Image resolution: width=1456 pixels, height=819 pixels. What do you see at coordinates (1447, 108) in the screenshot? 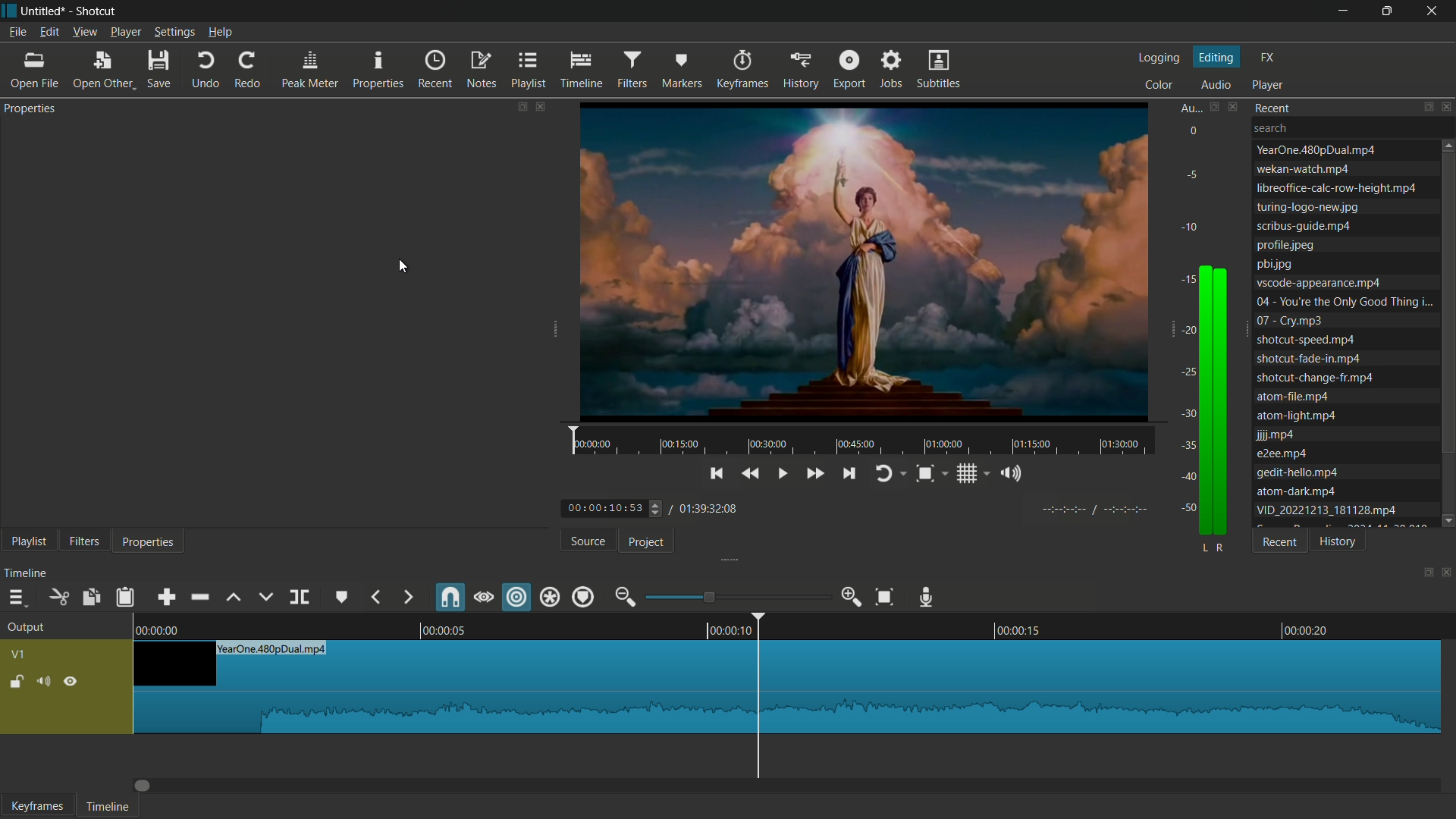
I see `close recent` at bounding box center [1447, 108].